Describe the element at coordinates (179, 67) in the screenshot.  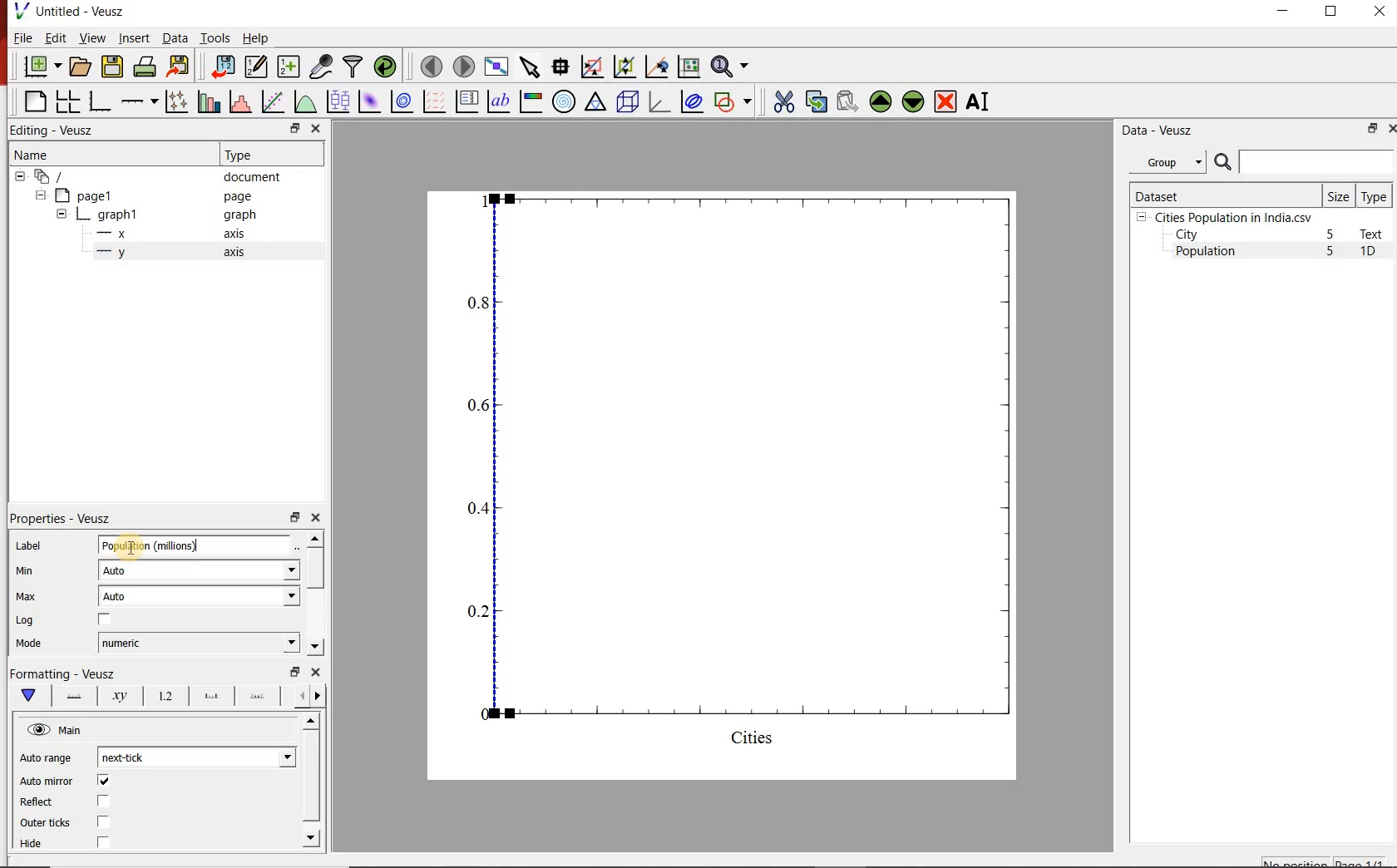
I see `export to graphics format` at that location.